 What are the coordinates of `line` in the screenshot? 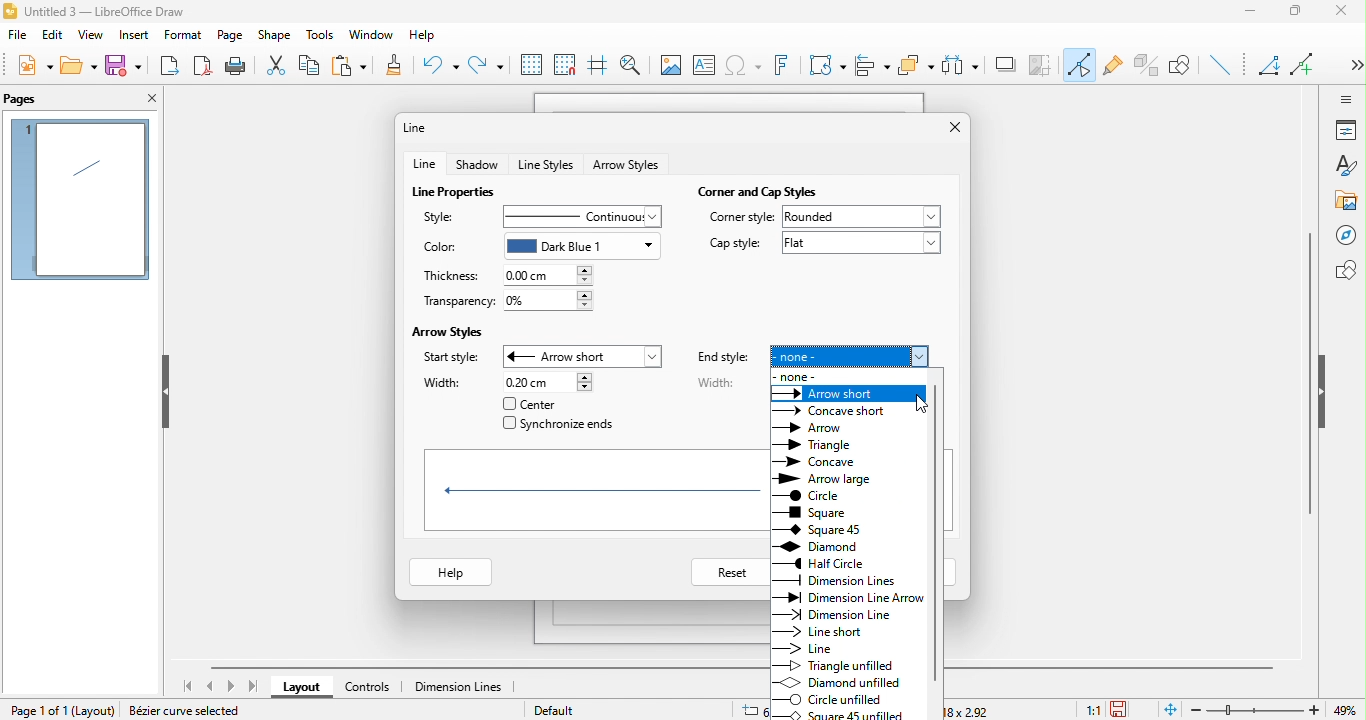 It's located at (425, 164).